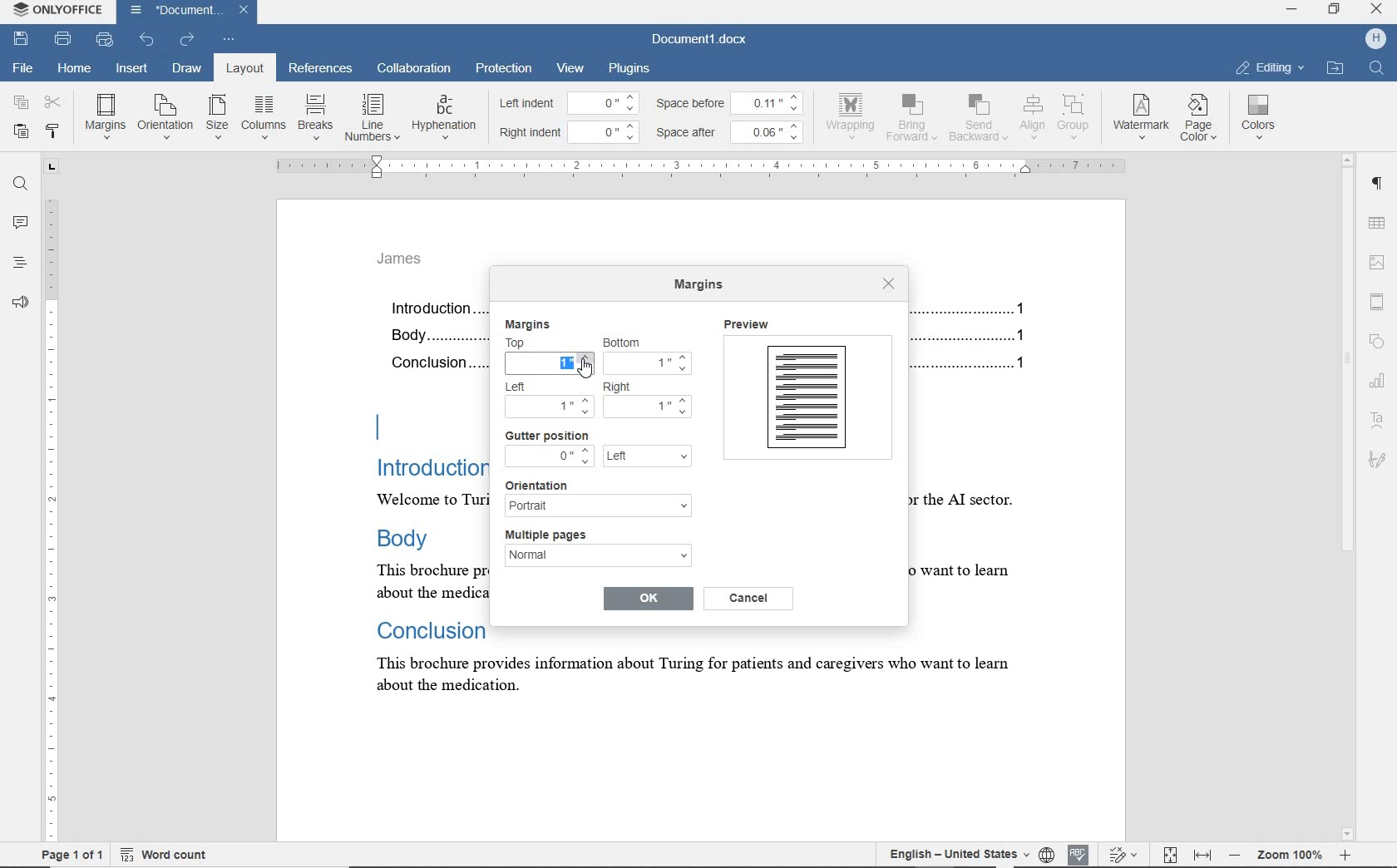 This screenshot has height=868, width=1397. I want to click on document name, so click(174, 11).